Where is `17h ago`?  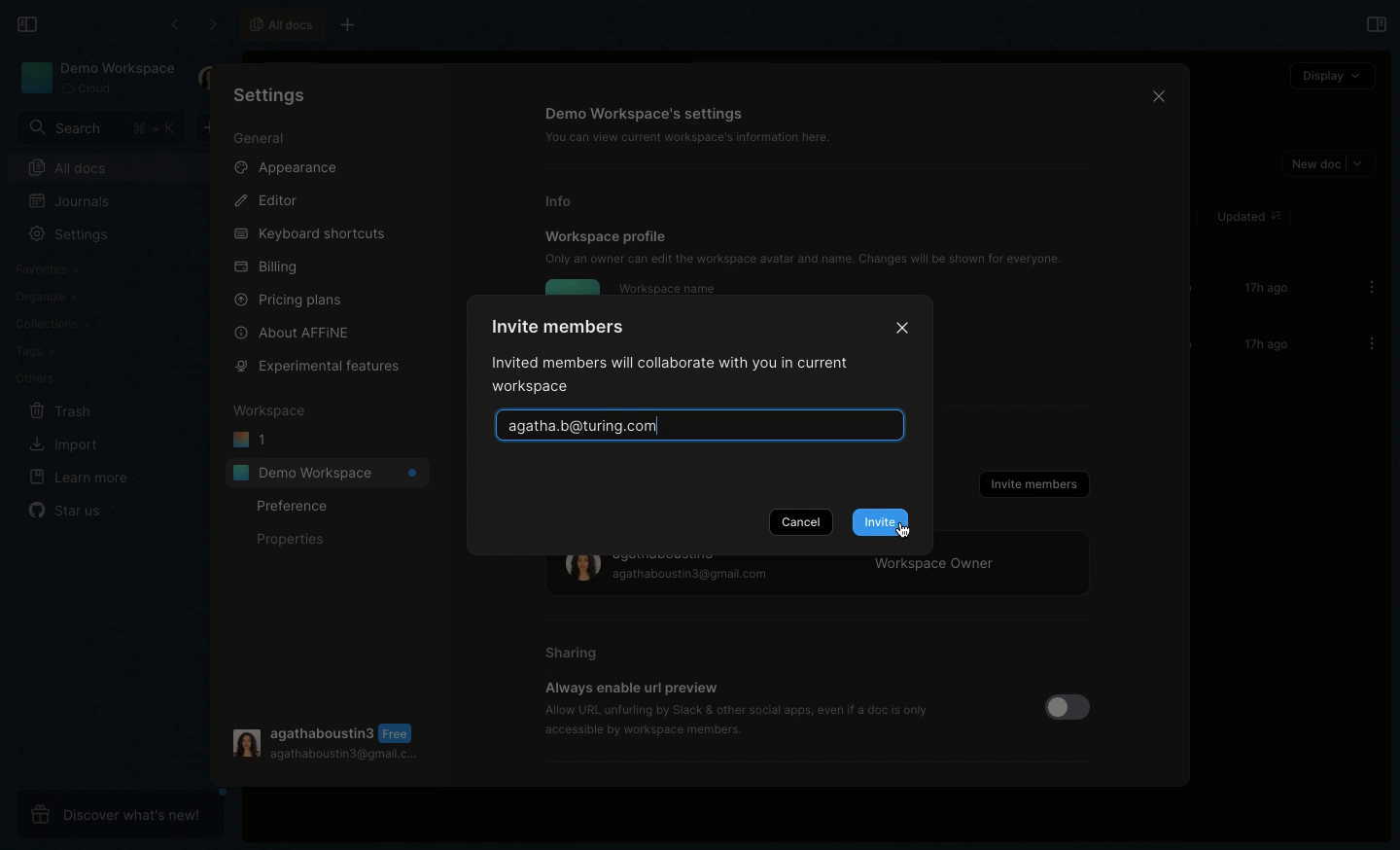
17h ago is located at coordinates (1262, 290).